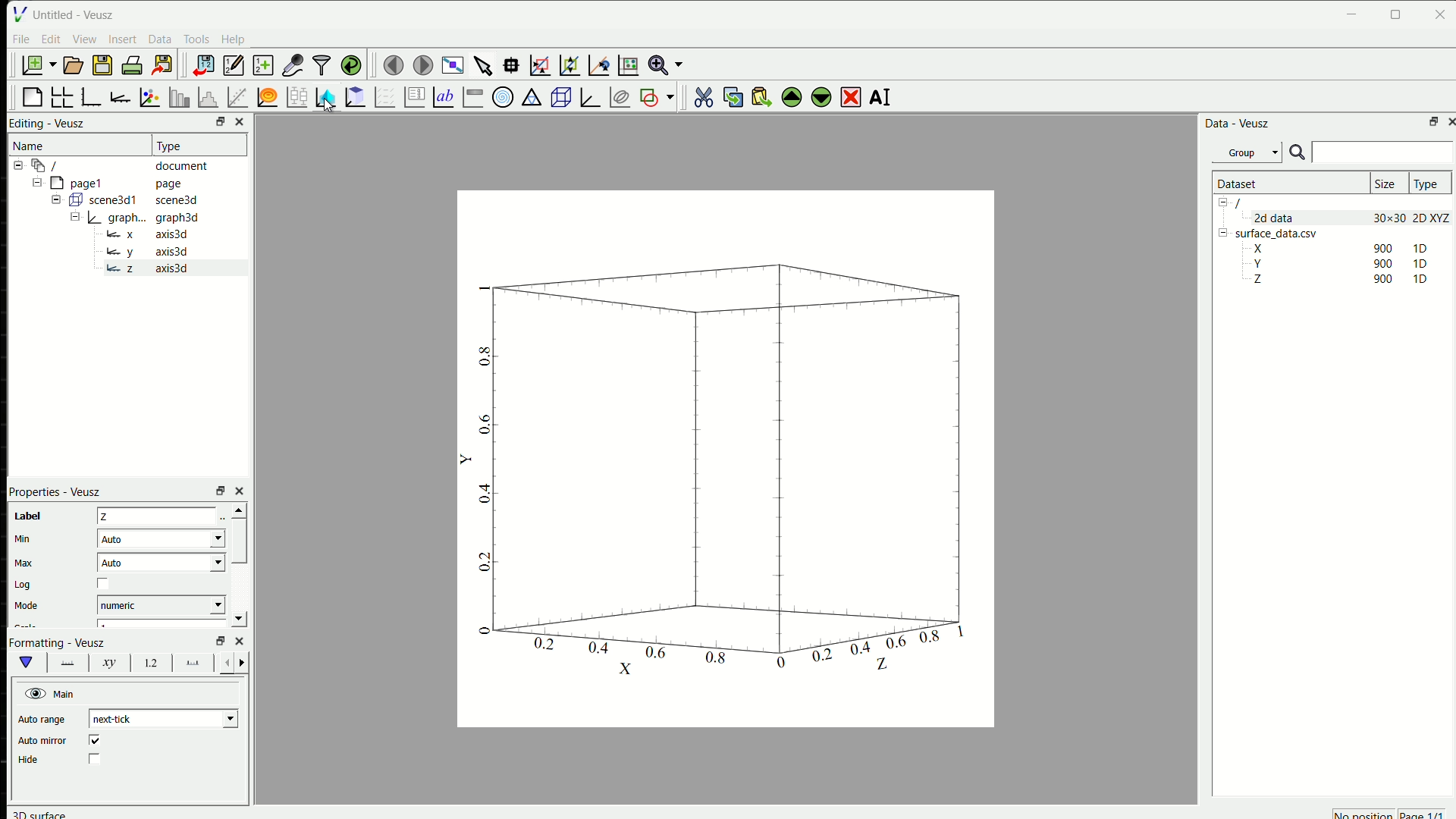 The image size is (1456, 819). What do you see at coordinates (171, 235) in the screenshot?
I see `axis3d` at bounding box center [171, 235].